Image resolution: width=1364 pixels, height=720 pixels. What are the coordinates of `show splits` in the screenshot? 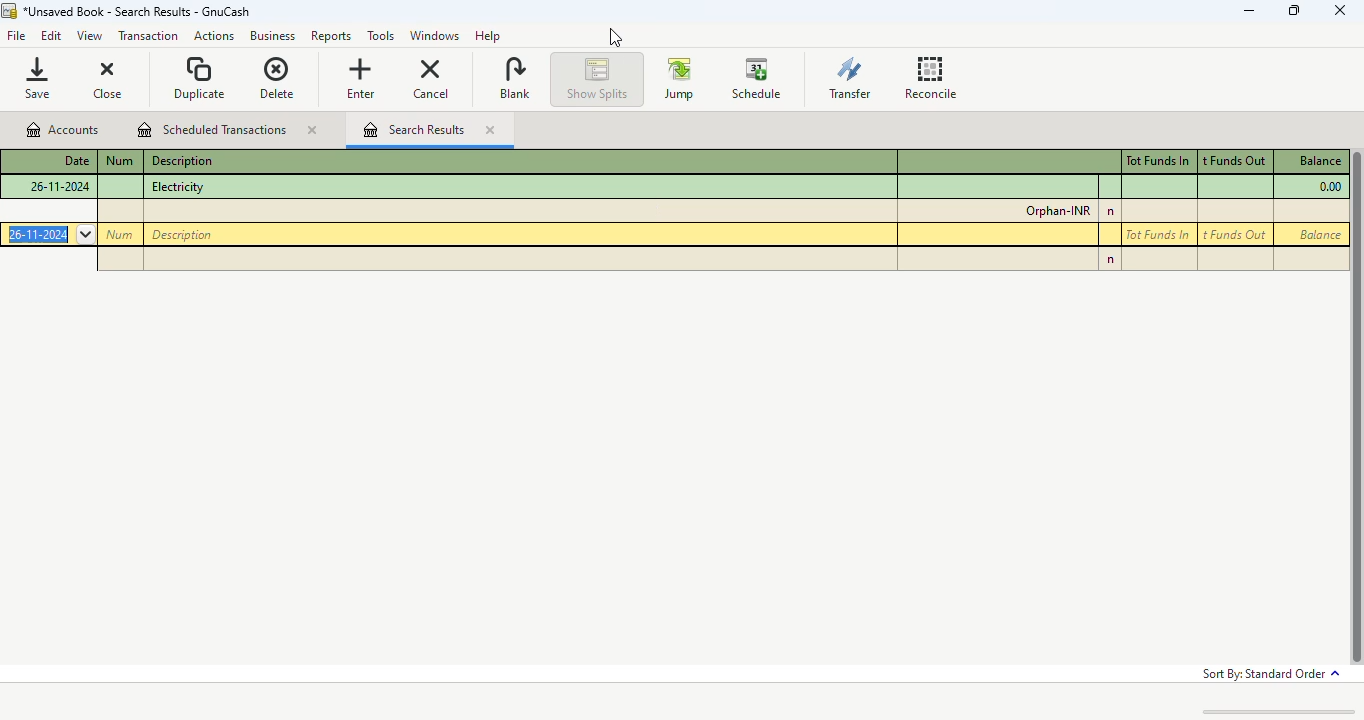 It's located at (598, 79).